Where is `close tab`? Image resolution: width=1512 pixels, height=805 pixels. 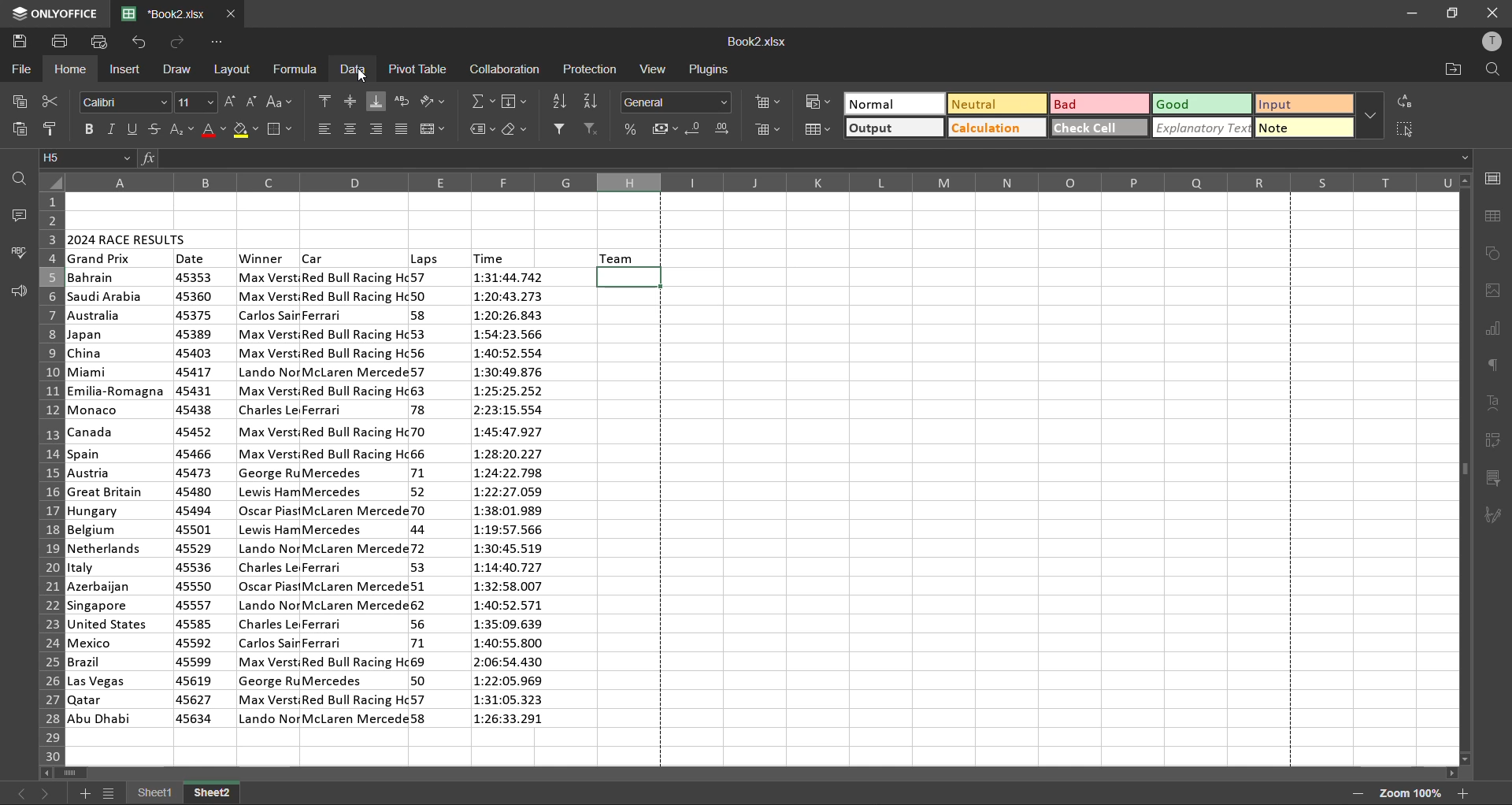
close tab is located at coordinates (232, 14).